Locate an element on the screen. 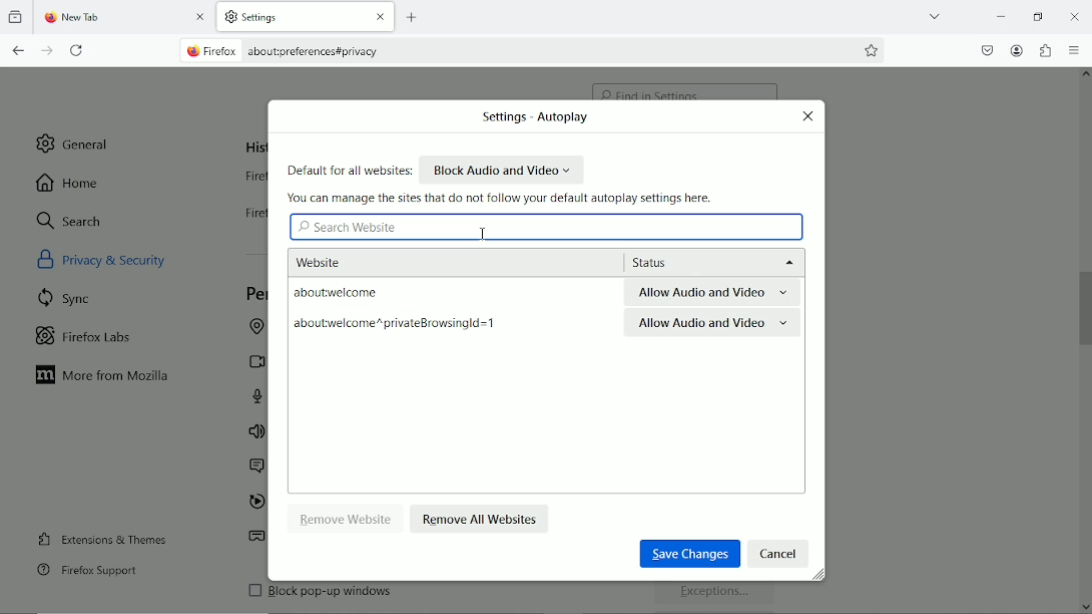 This screenshot has width=1092, height=614. firefox labs is located at coordinates (84, 334).